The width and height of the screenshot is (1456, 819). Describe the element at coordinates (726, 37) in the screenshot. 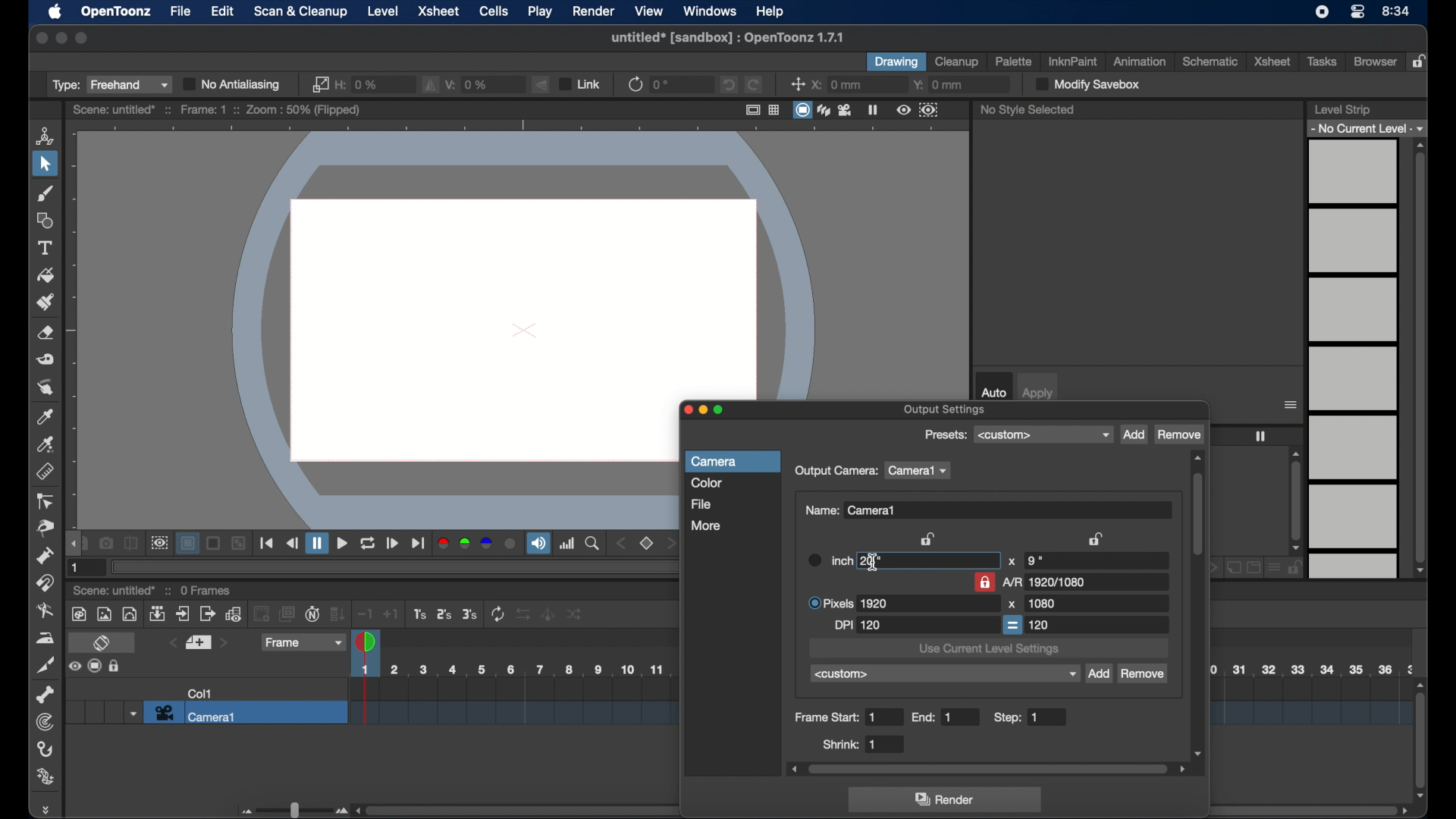

I see `file name` at that location.